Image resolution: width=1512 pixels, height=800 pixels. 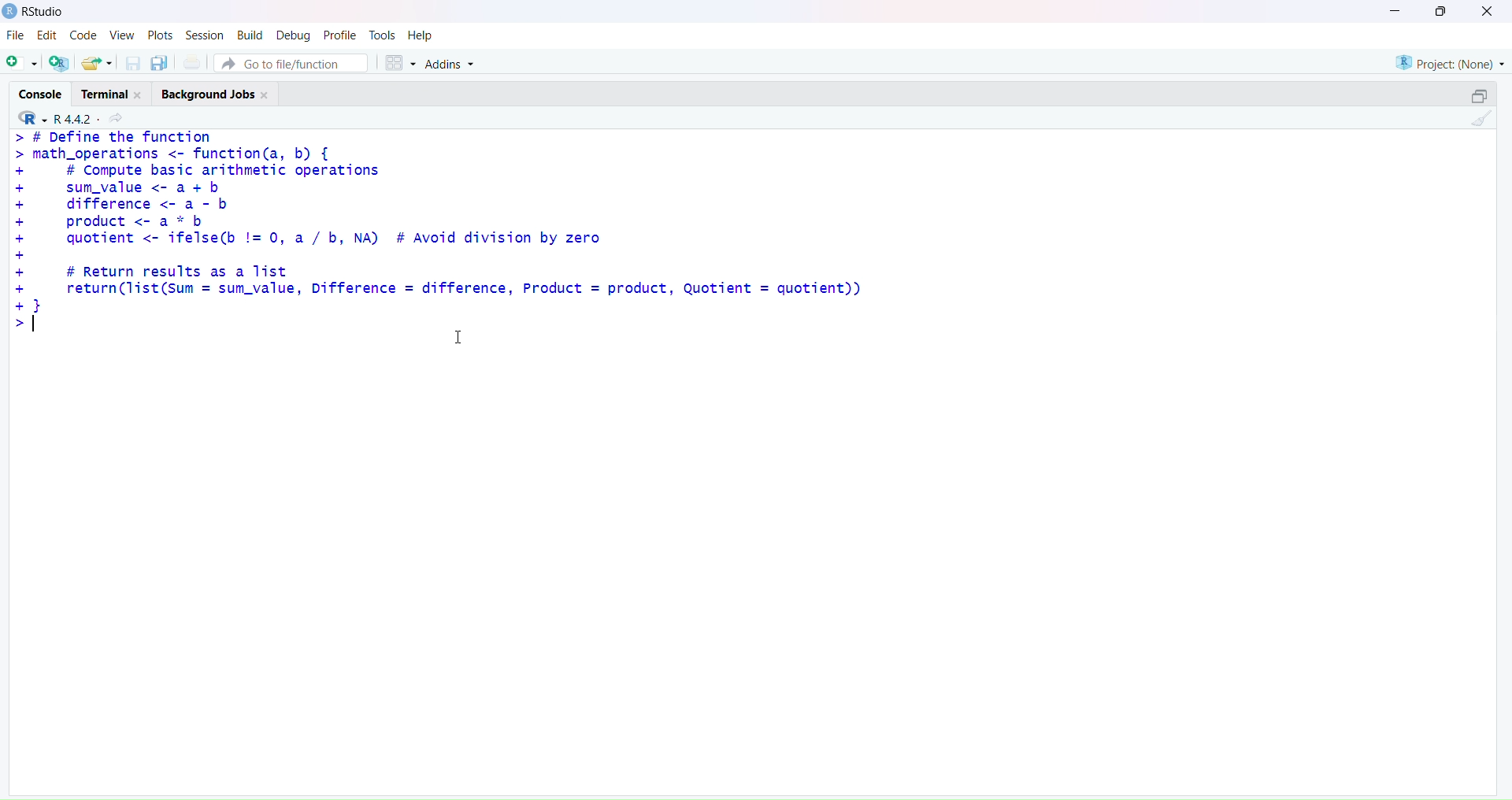 I want to click on Profile, so click(x=339, y=33).